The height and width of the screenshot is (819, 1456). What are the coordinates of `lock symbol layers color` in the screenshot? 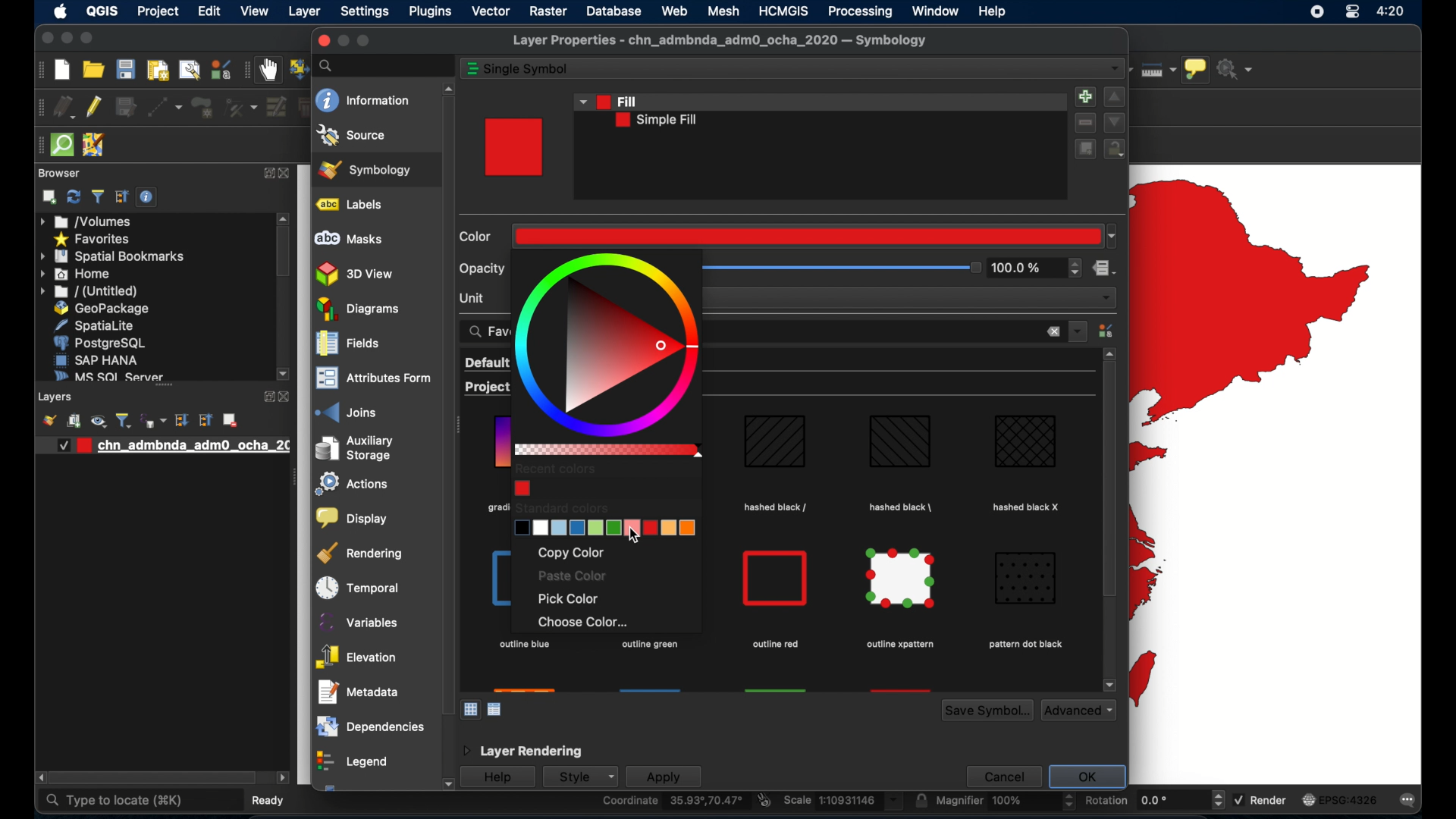 It's located at (1116, 150).